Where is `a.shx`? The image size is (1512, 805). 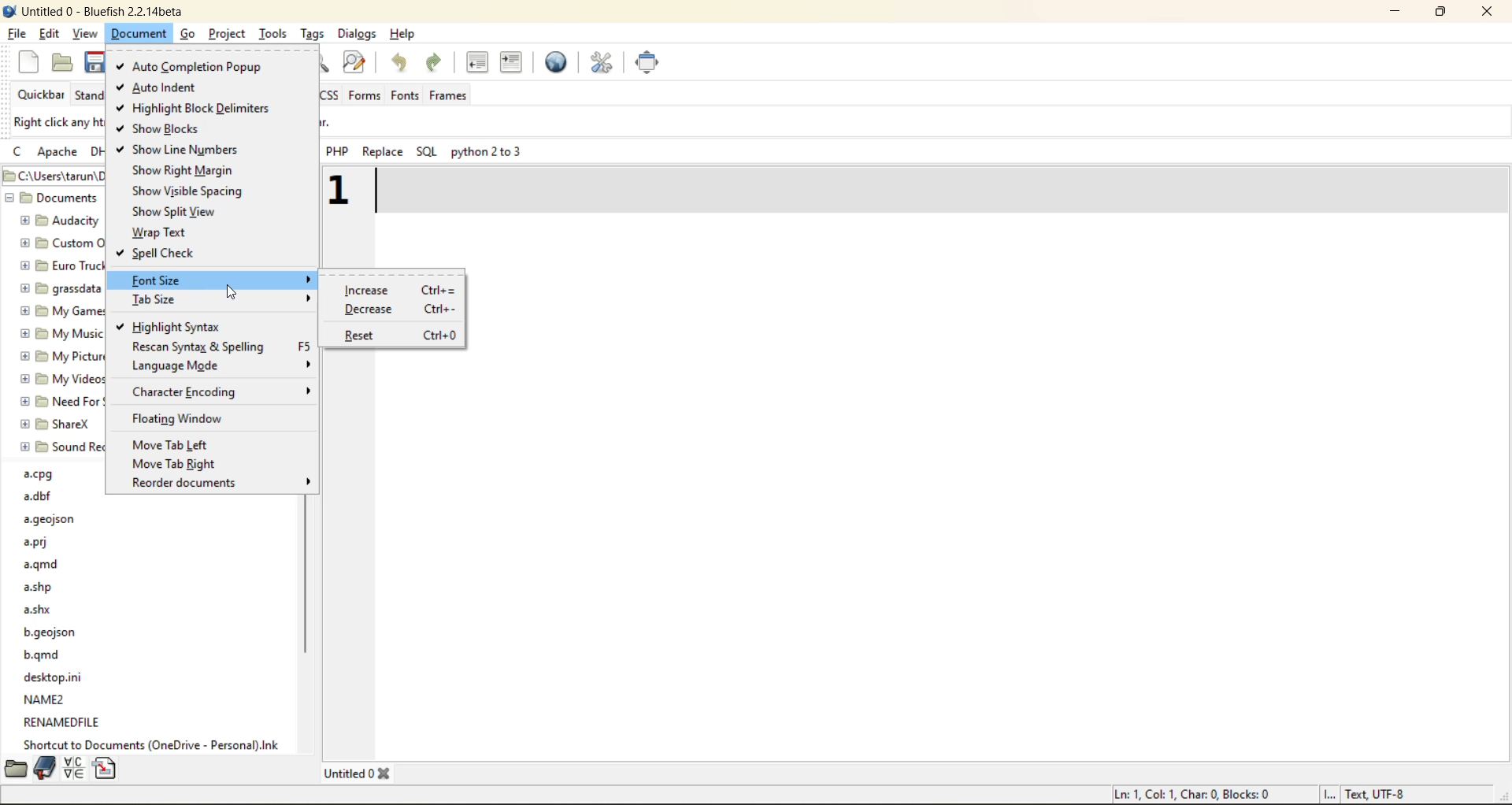
a.shx is located at coordinates (39, 608).